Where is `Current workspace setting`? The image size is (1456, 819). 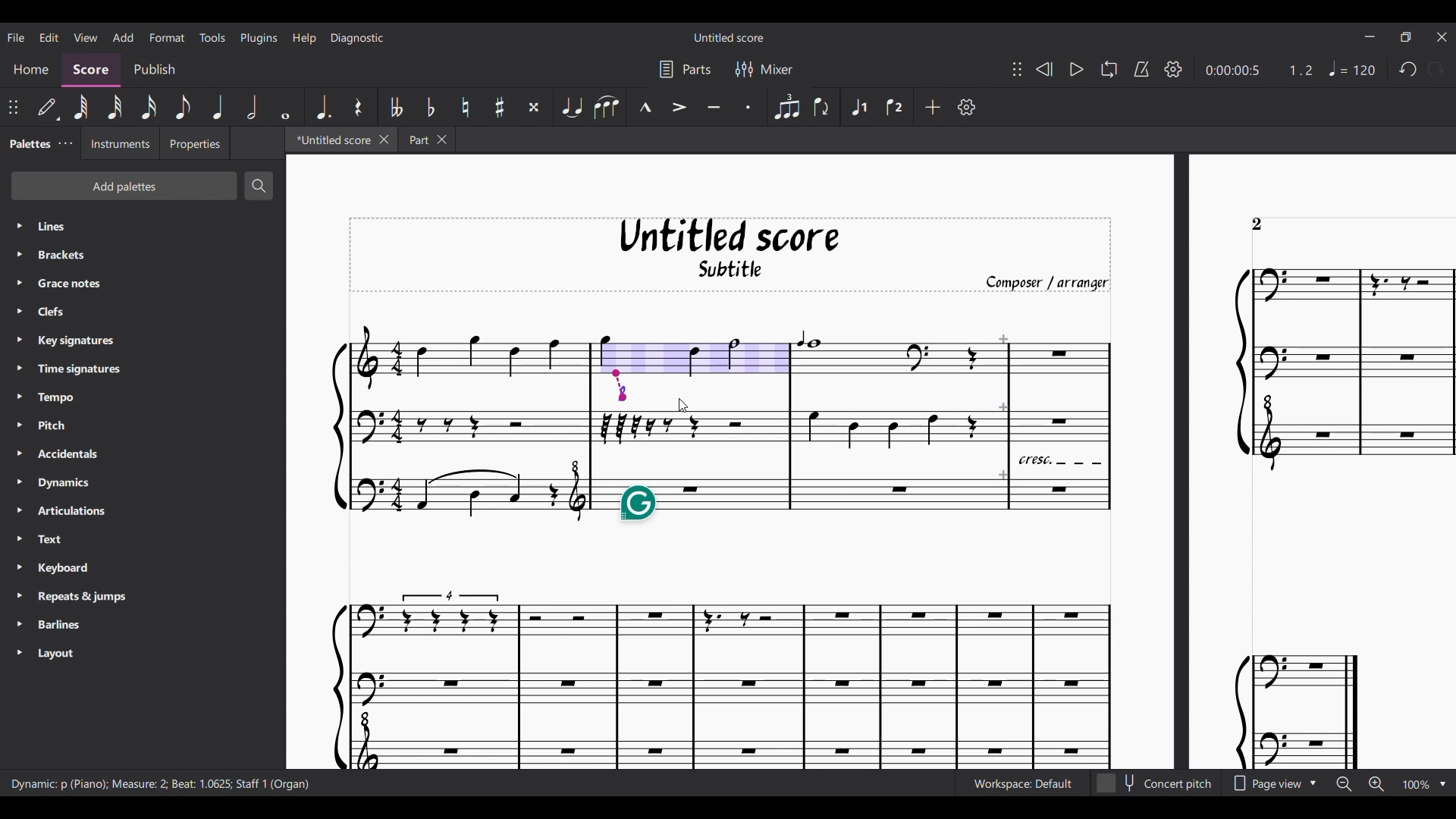
Current workspace setting is located at coordinates (1022, 783).